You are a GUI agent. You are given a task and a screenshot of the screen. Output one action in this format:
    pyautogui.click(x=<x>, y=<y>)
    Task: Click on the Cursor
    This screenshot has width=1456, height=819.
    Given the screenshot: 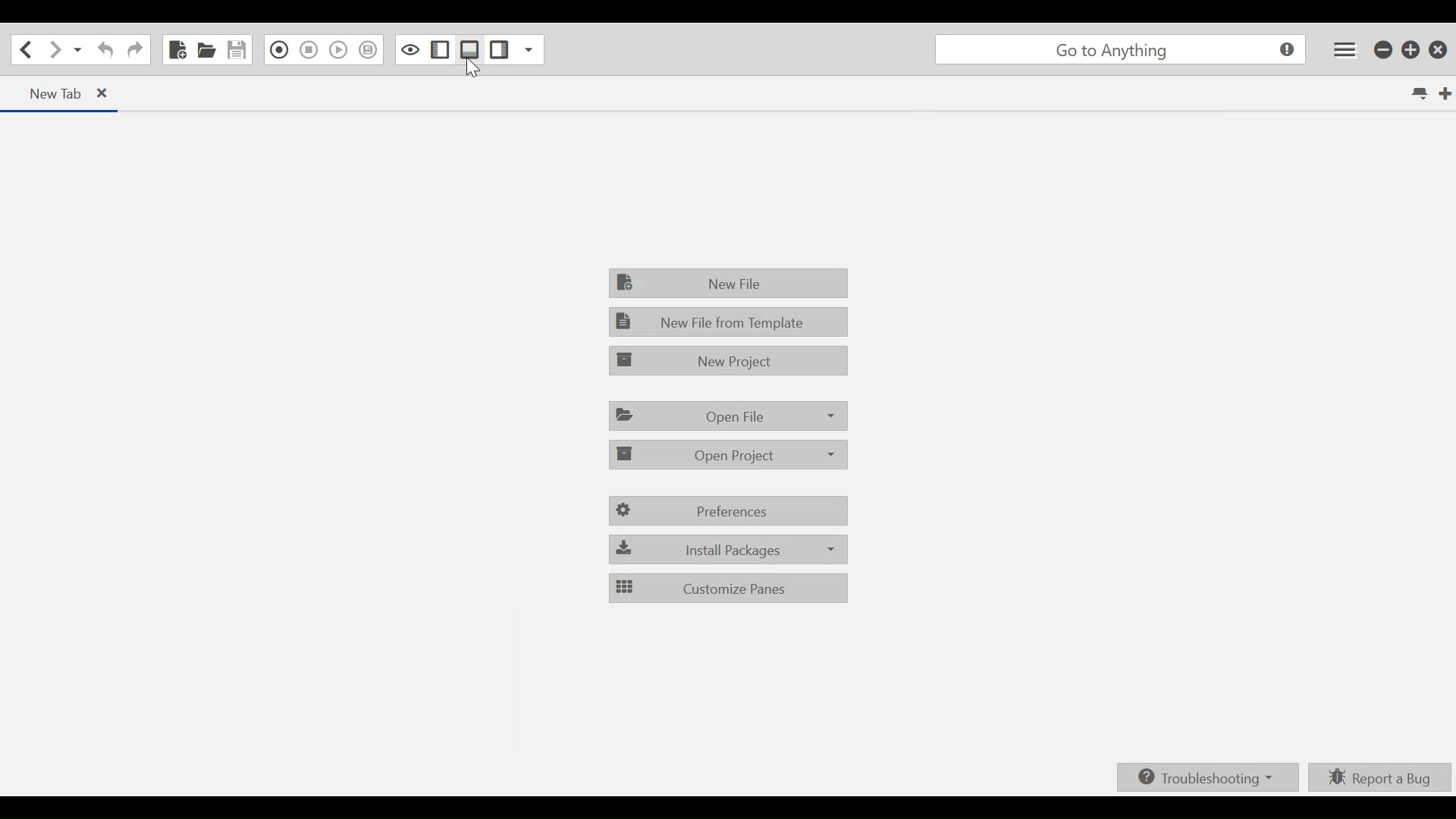 What is the action you would take?
    pyautogui.click(x=472, y=67)
    